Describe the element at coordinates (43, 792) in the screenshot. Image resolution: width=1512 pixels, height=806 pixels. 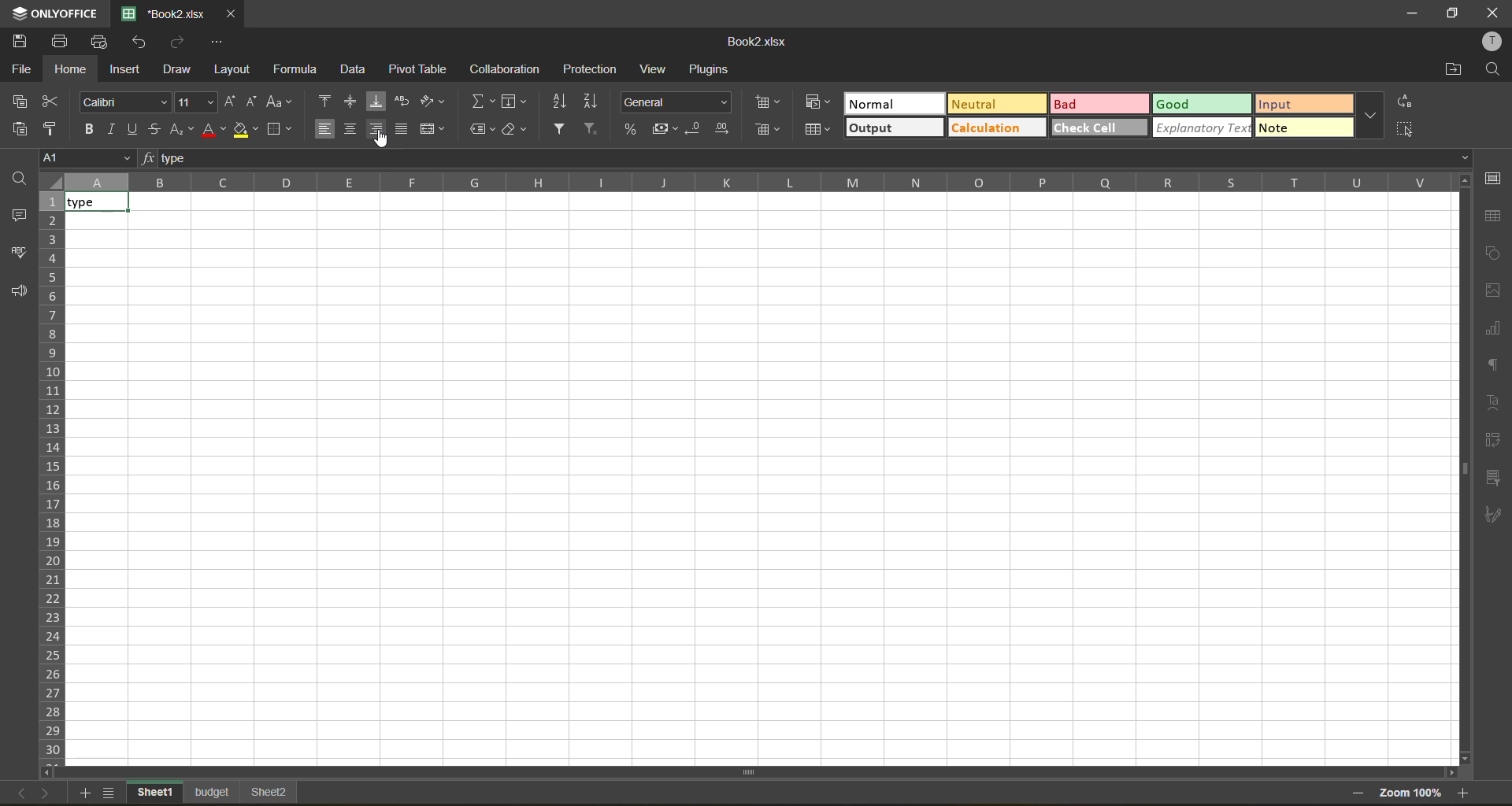
I see `next` at that location.